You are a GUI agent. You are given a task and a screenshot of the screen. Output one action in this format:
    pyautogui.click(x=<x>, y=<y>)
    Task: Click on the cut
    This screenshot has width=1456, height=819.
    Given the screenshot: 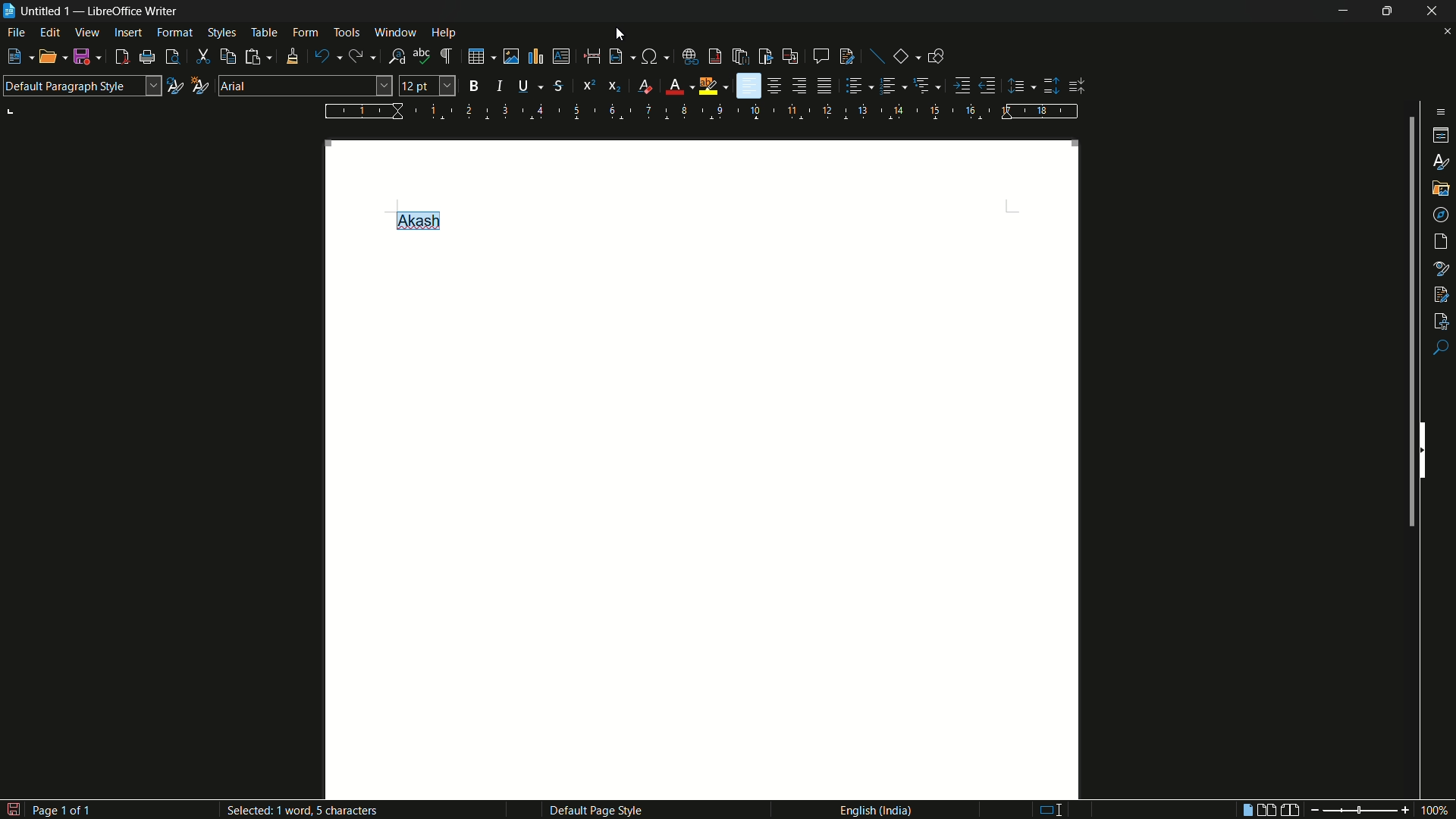 What is the action you would take?
    pyautogui.click(x=203, y=58)
    